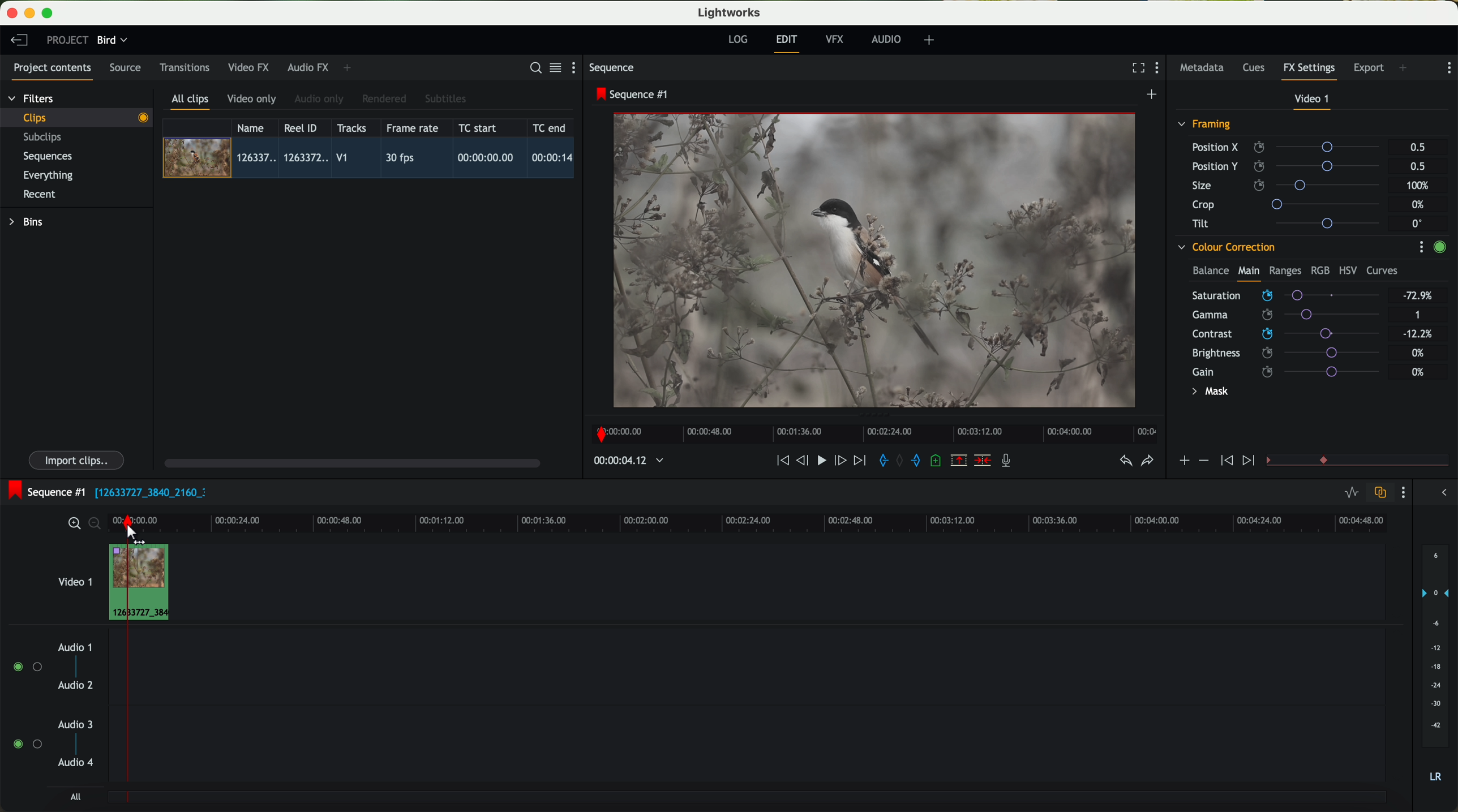 This screenshot has height=812, width=1458. What do you see at coordinates (877, 260) in the screenshot?
I see `applied effect` at bounding box center [877, 260].